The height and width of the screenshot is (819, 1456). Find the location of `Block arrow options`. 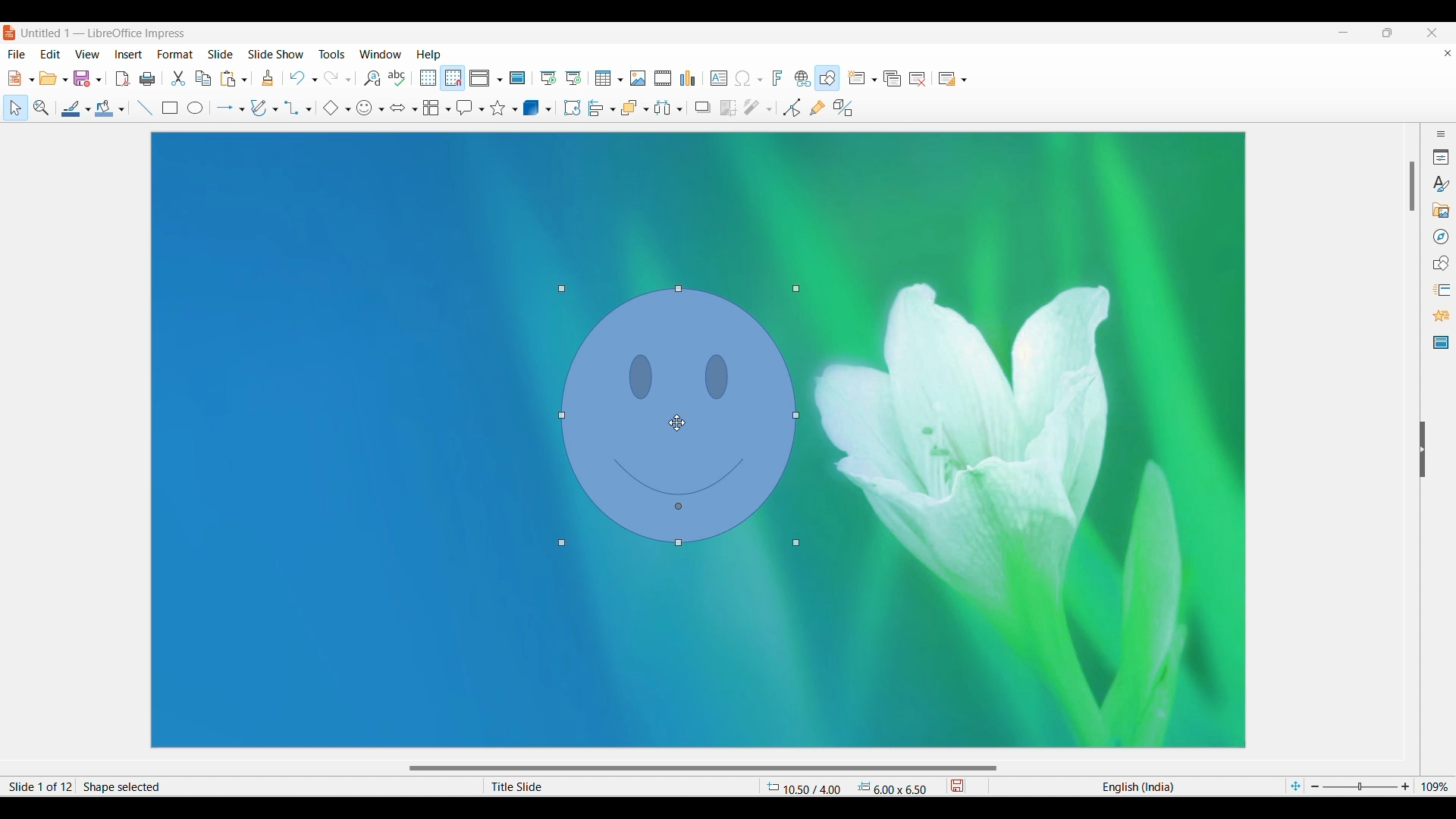

Block arrow options is located at coordinates (416, 109).